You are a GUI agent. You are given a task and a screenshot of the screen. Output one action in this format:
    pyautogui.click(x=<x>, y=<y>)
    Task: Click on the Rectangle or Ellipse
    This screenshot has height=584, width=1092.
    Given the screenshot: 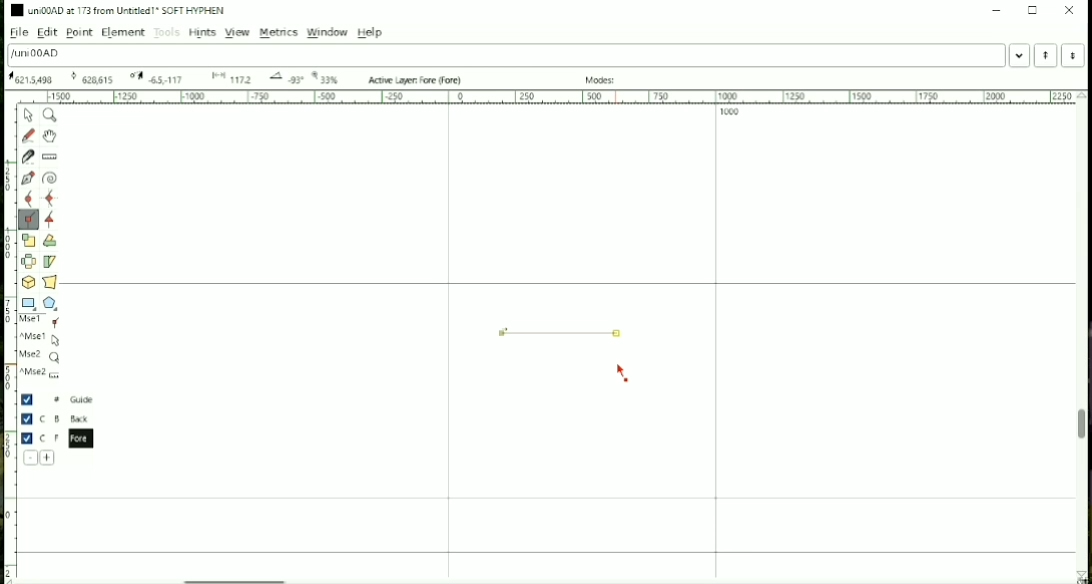 What is the action you would take?
    pyautogui.click(x=29, y=304)
    